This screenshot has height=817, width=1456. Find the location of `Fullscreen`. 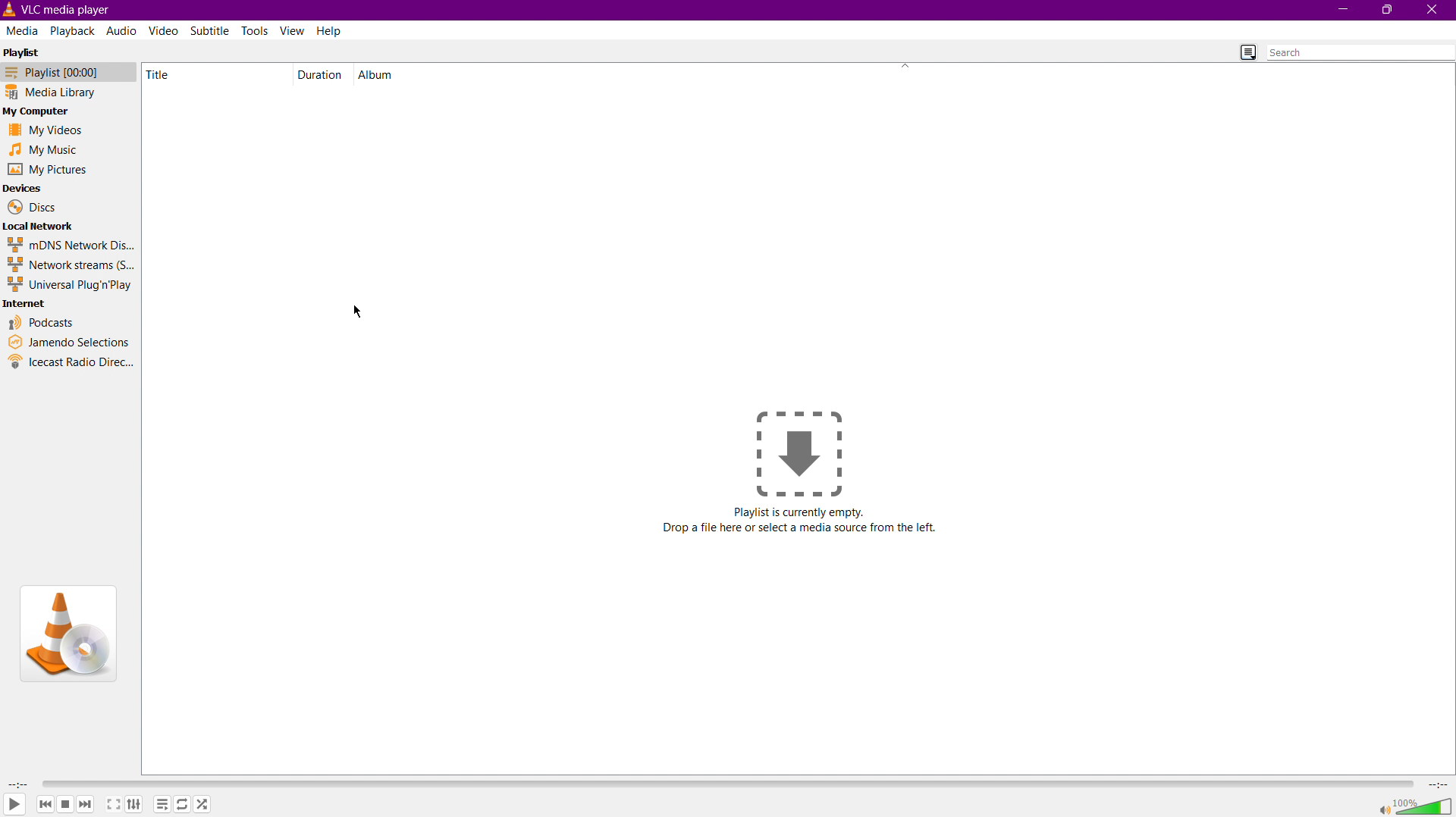

Fullscreen is located at coordinates (112, 804).